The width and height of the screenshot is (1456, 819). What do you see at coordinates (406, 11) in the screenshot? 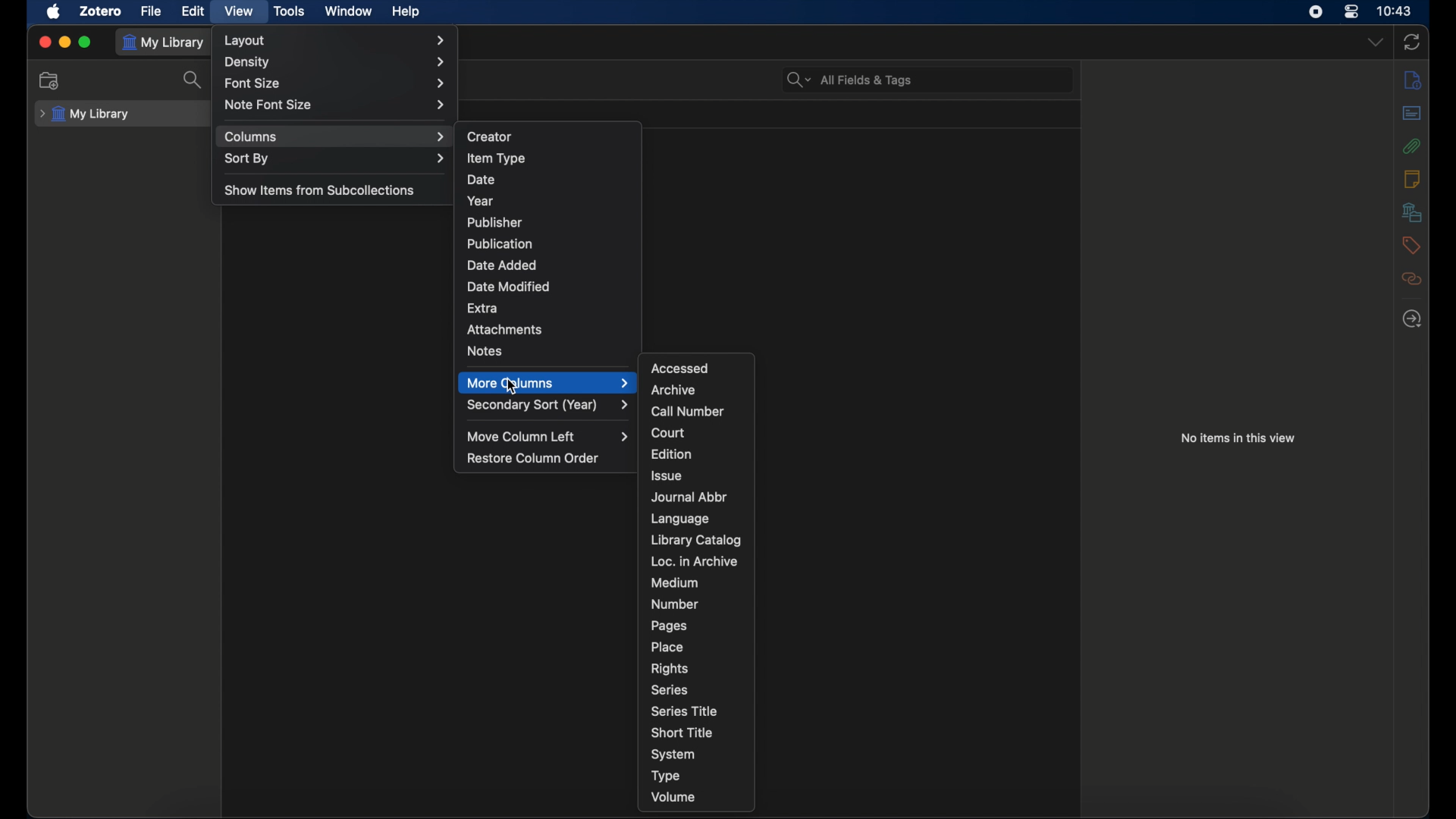
I see `help` at bounding box center [406, 11].